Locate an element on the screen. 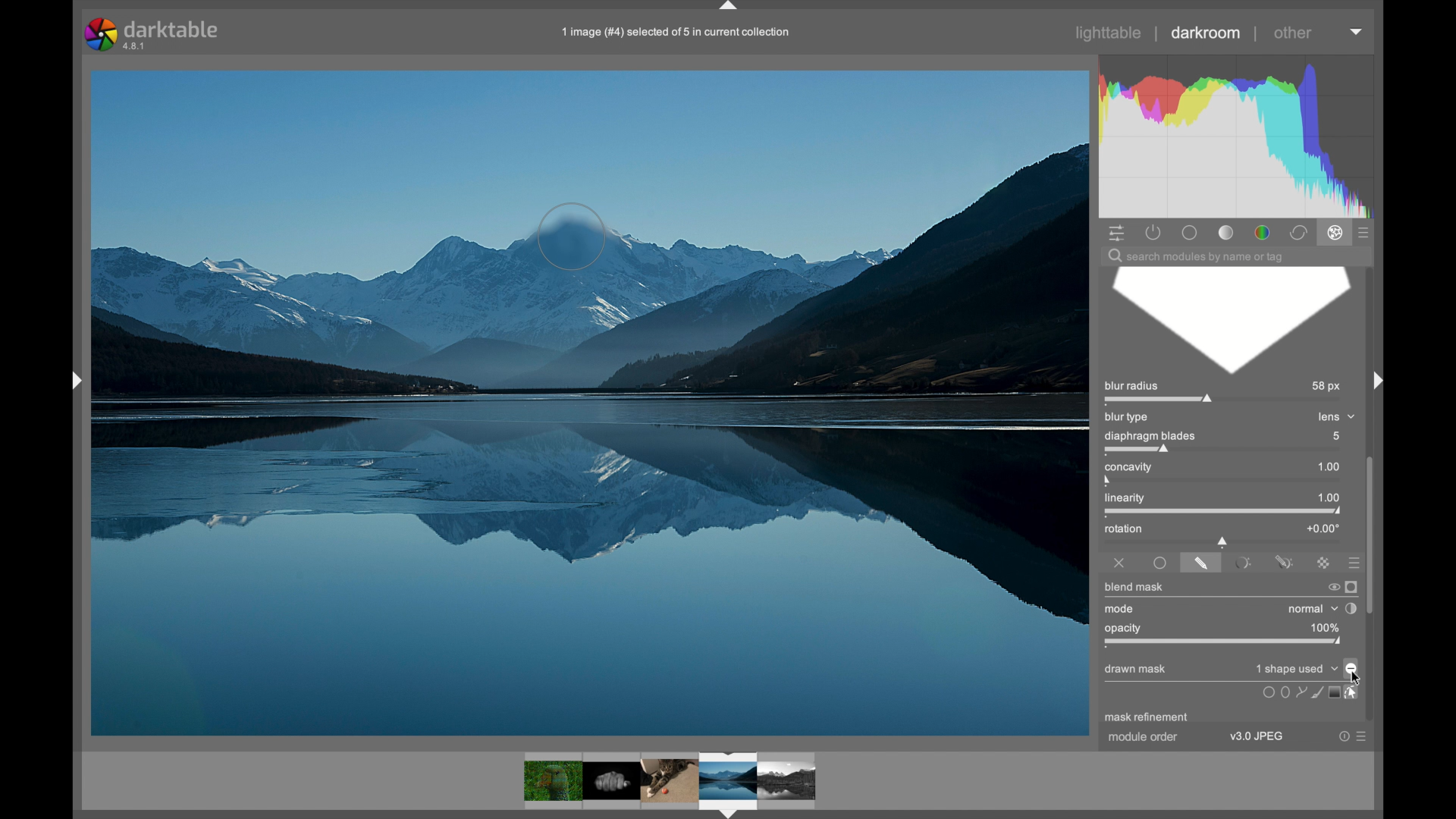 The width and height of the screenshot is (1456, 819). tone is located at coordinates (1225, 232).